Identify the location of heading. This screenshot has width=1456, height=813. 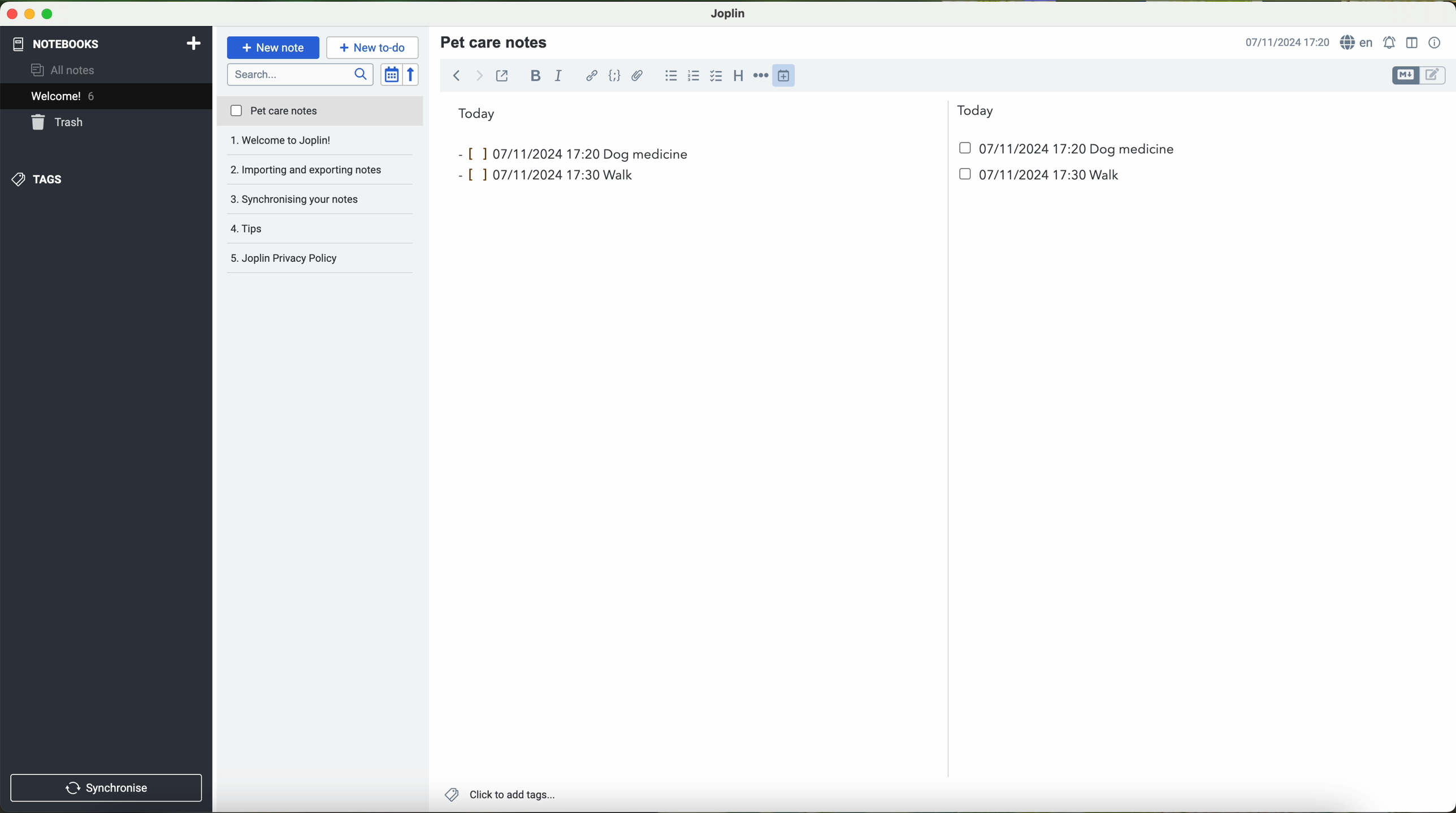
(739, 75).